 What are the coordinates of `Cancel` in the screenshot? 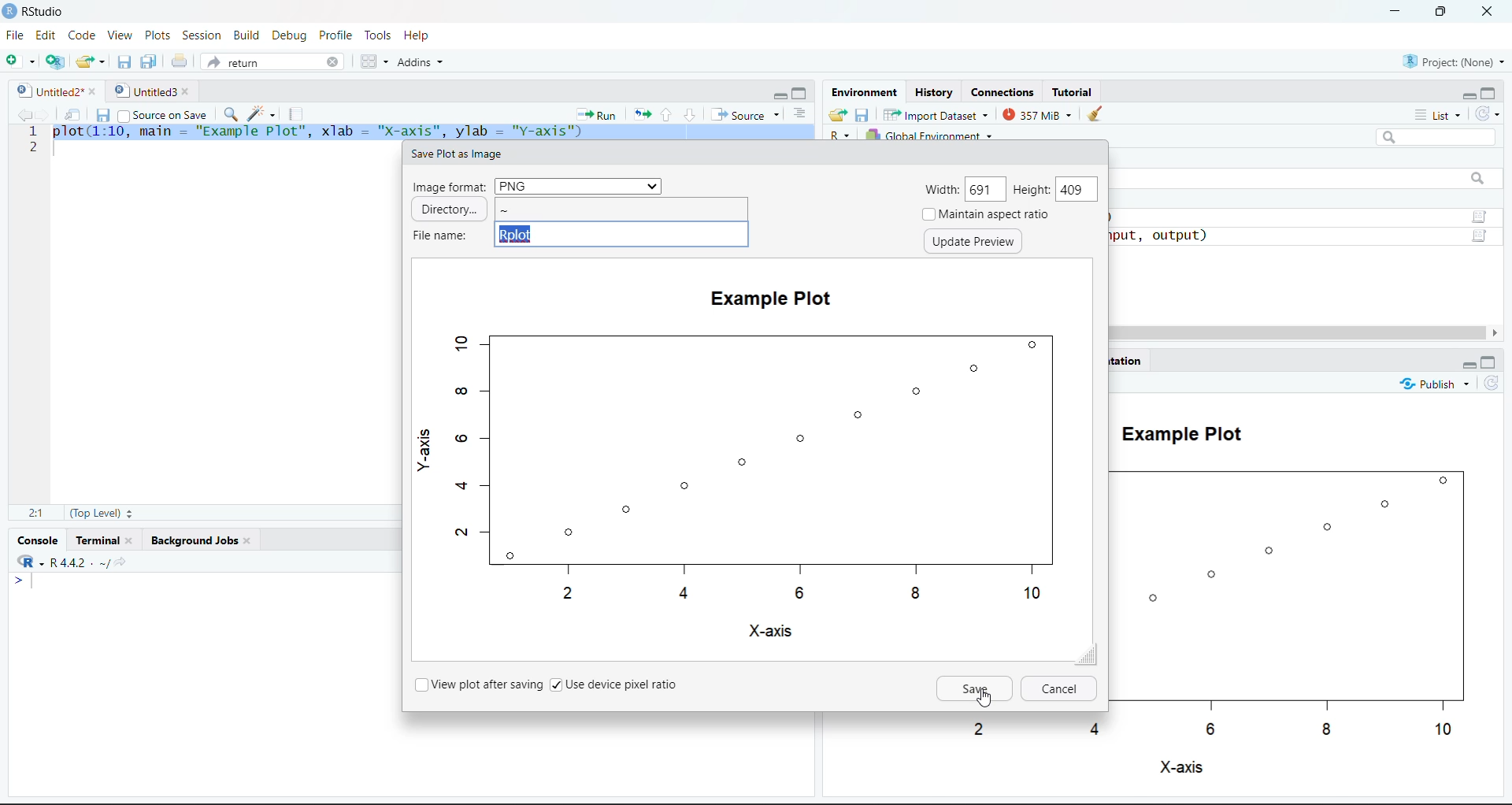 It's located at (1059, 688).